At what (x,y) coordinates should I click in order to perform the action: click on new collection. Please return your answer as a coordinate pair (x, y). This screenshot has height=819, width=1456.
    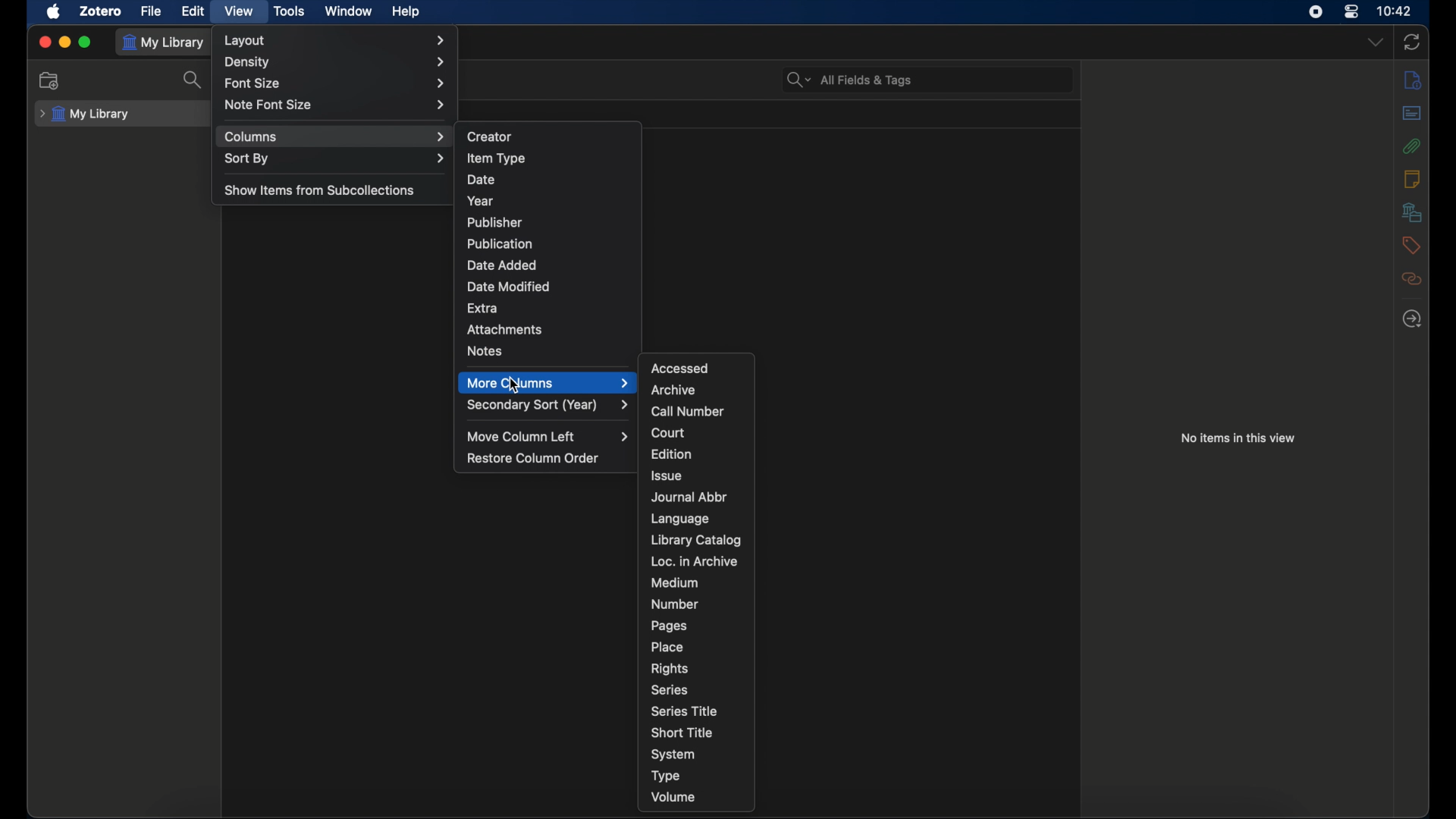
    Looking at the image, I should click on (49, 80).